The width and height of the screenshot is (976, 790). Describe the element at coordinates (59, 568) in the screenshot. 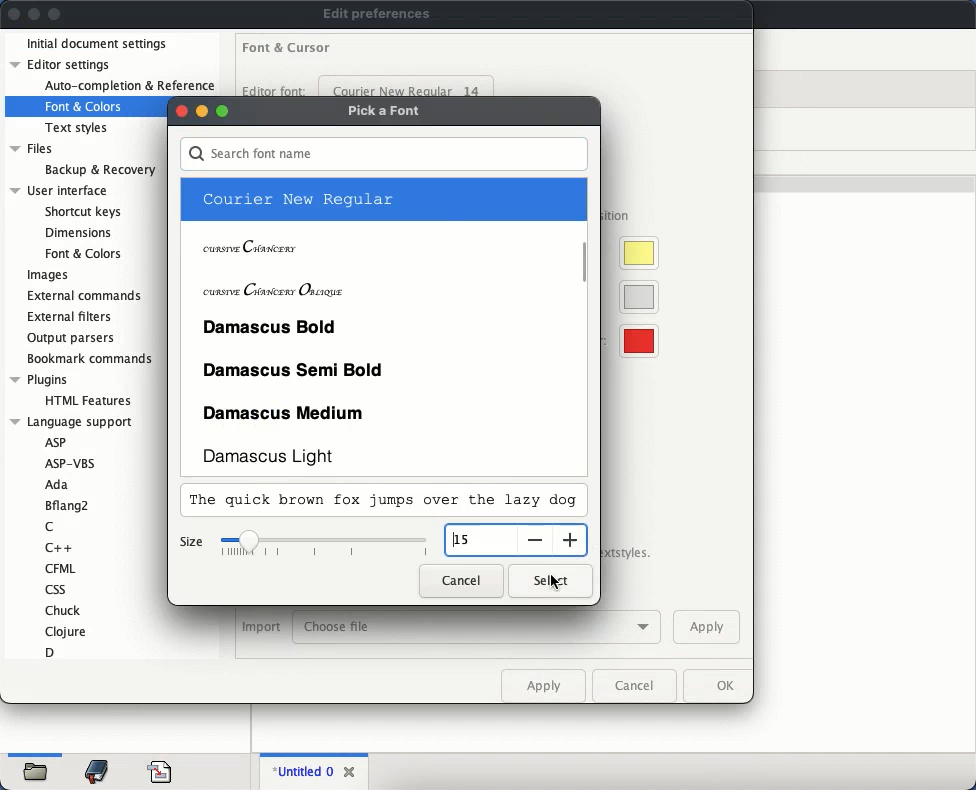

I see `cfml` at that location.